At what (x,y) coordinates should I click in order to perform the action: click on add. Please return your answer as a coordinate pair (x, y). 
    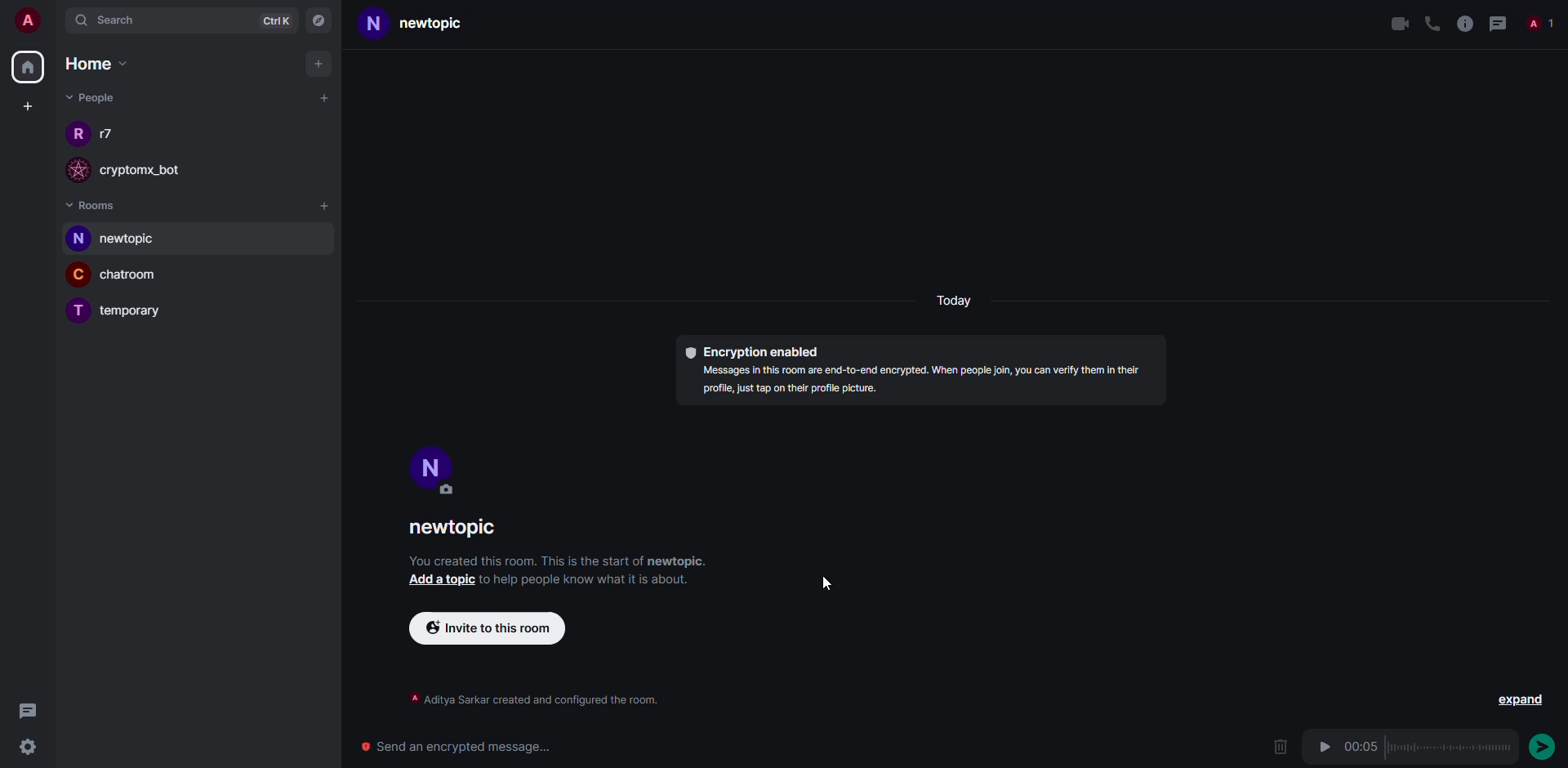
    Looking at the image, I should click on (326, 208).